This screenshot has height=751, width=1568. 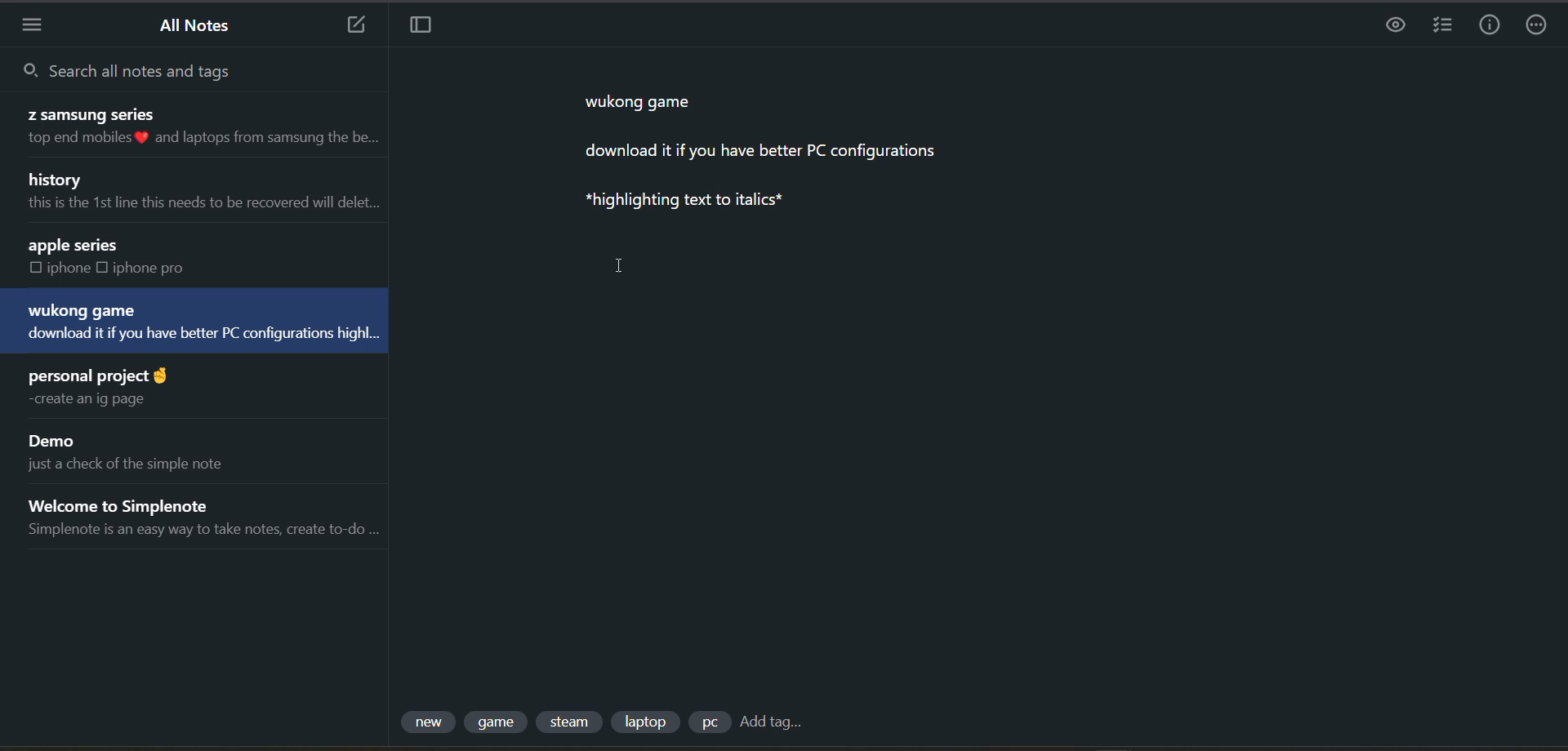 I want to click on tag 4, so click(x=651, y=720).